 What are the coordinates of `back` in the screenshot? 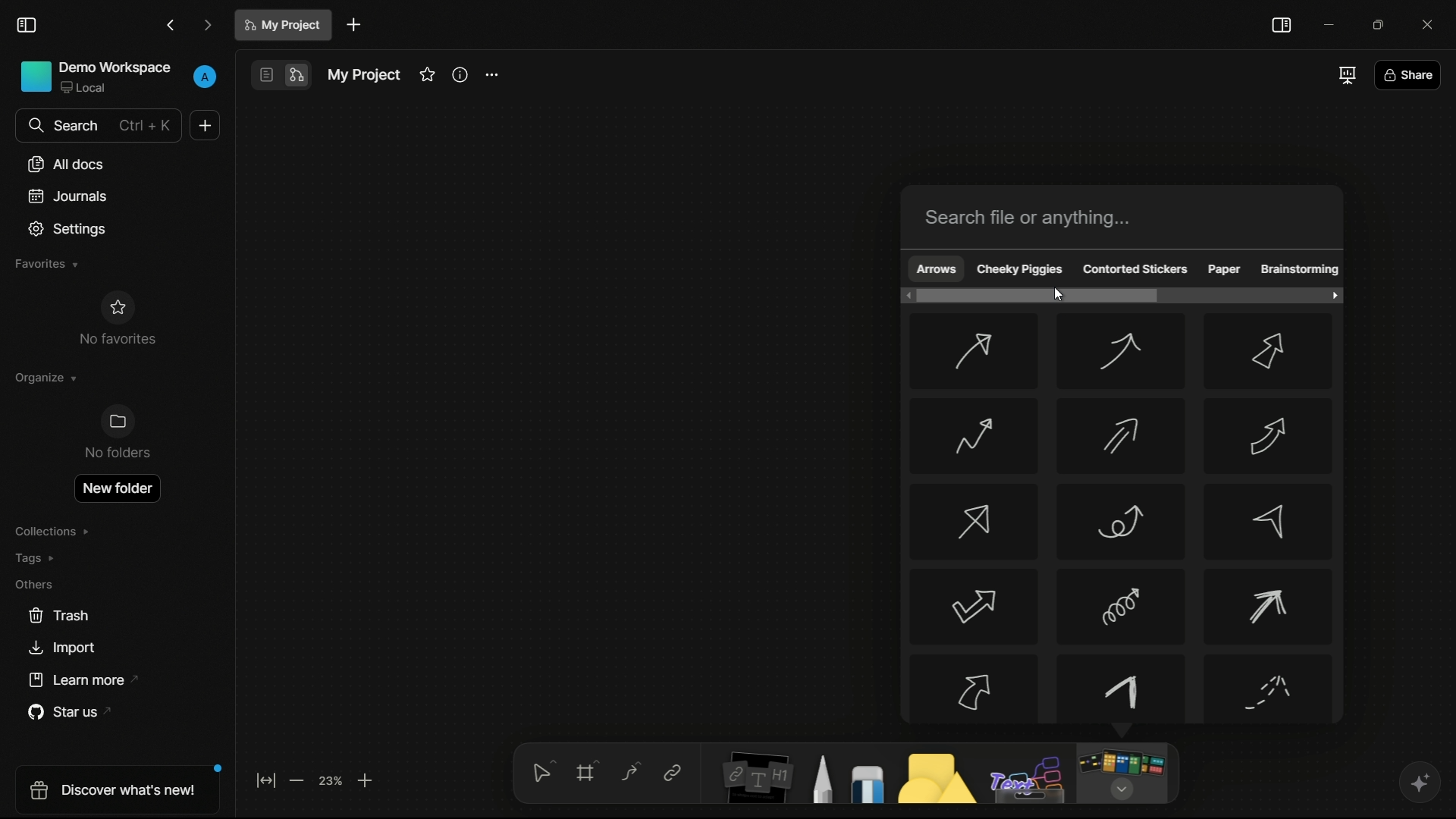 It's located at (171, 26).